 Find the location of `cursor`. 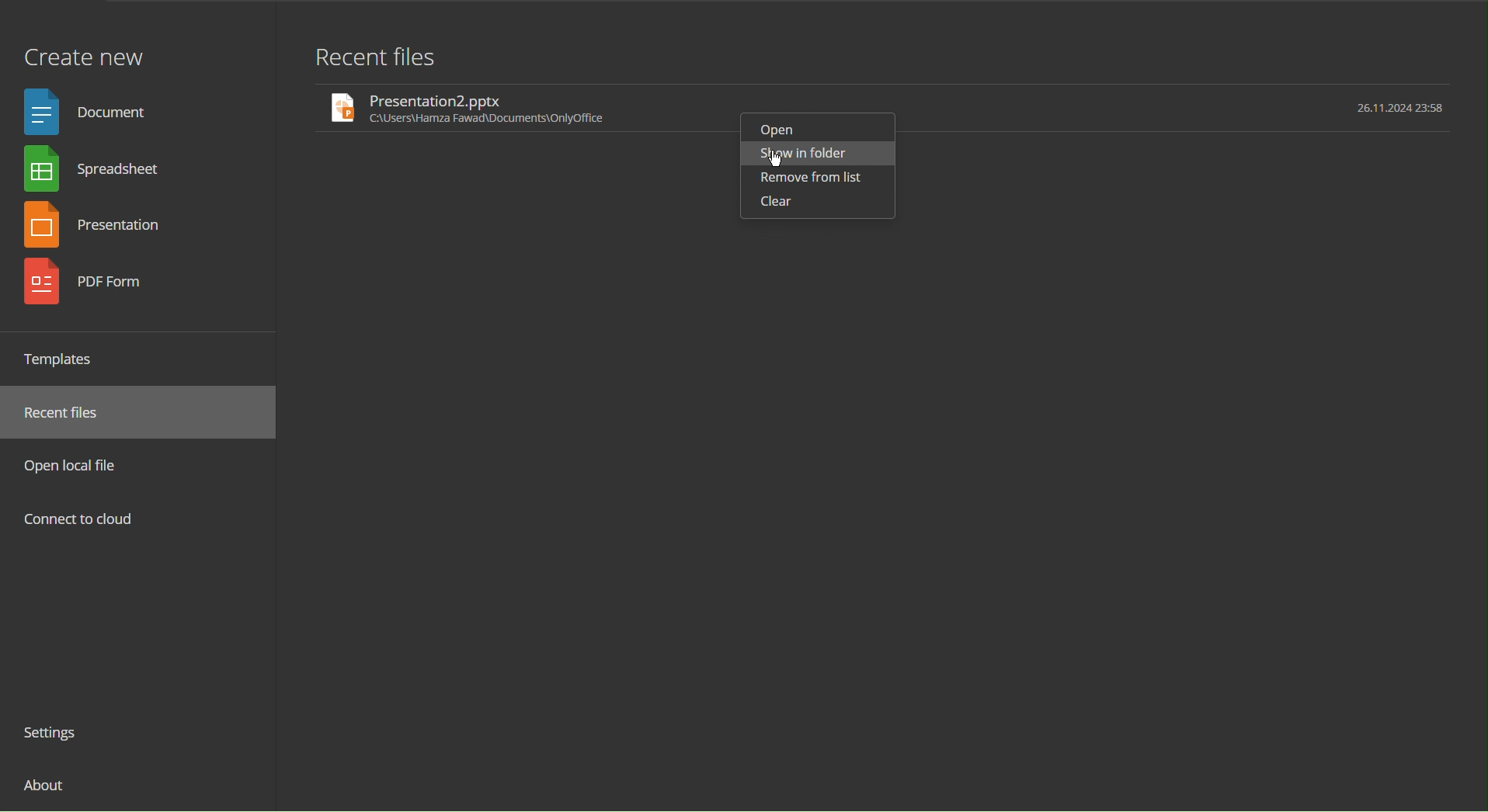

cursor is located at coordinates (776, 161).